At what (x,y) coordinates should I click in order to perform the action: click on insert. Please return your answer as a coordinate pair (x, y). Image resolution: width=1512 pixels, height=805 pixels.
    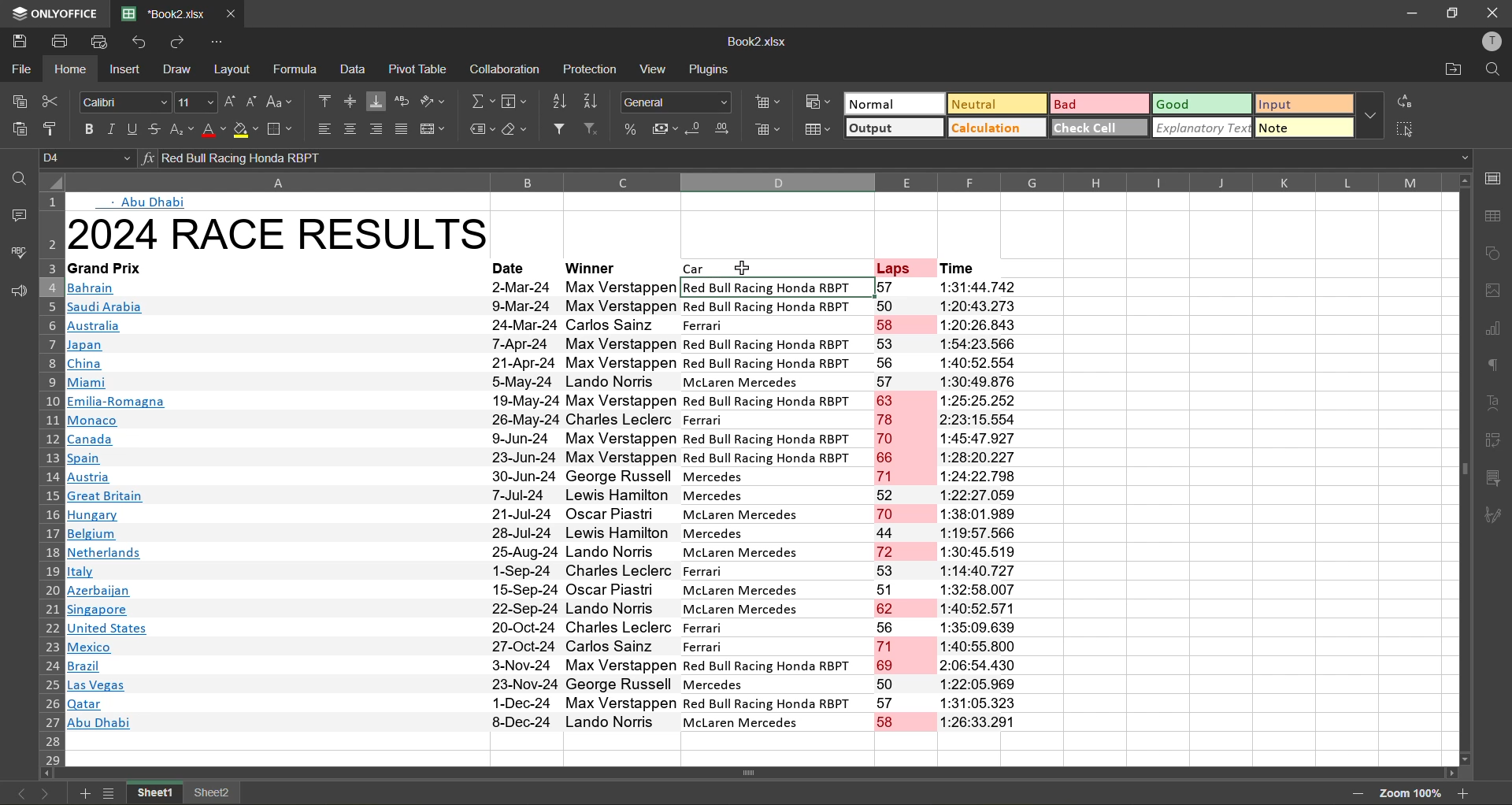
    Looking at the image, I should click on (122, 69).